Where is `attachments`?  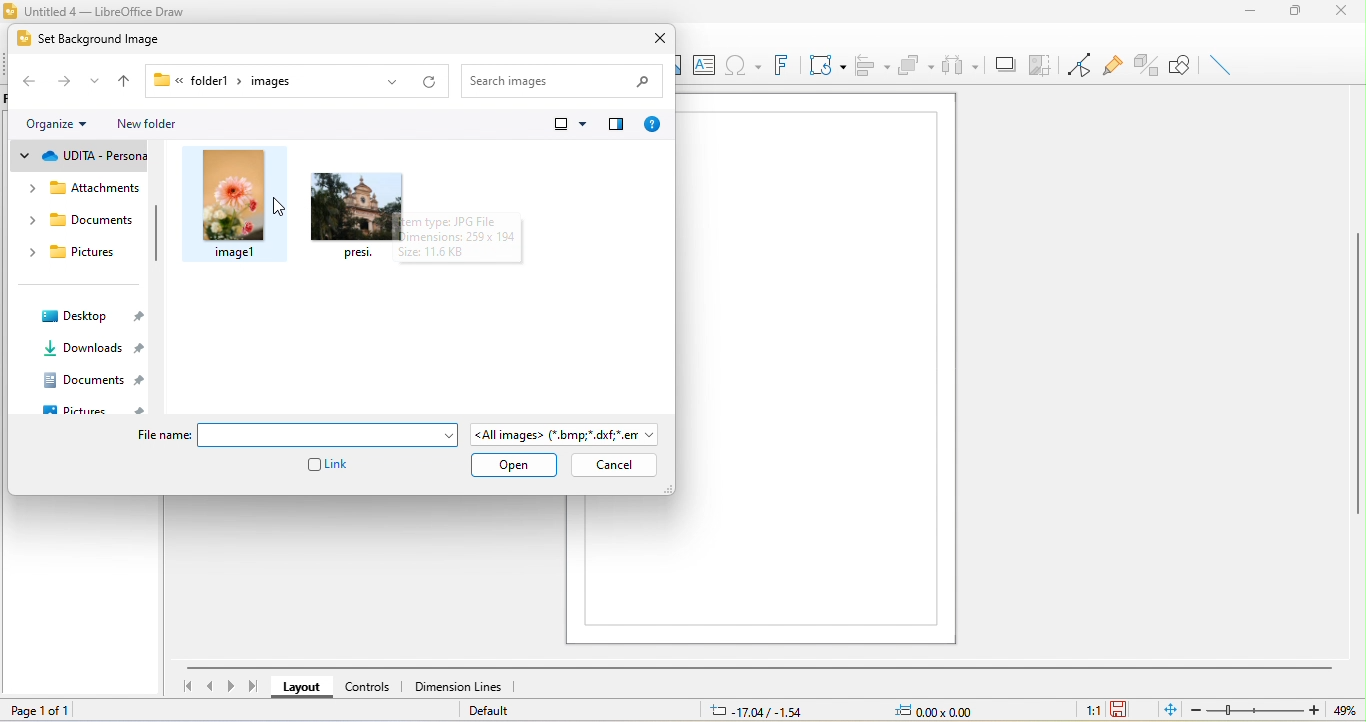 attachments is located at coordinates (83, 192).